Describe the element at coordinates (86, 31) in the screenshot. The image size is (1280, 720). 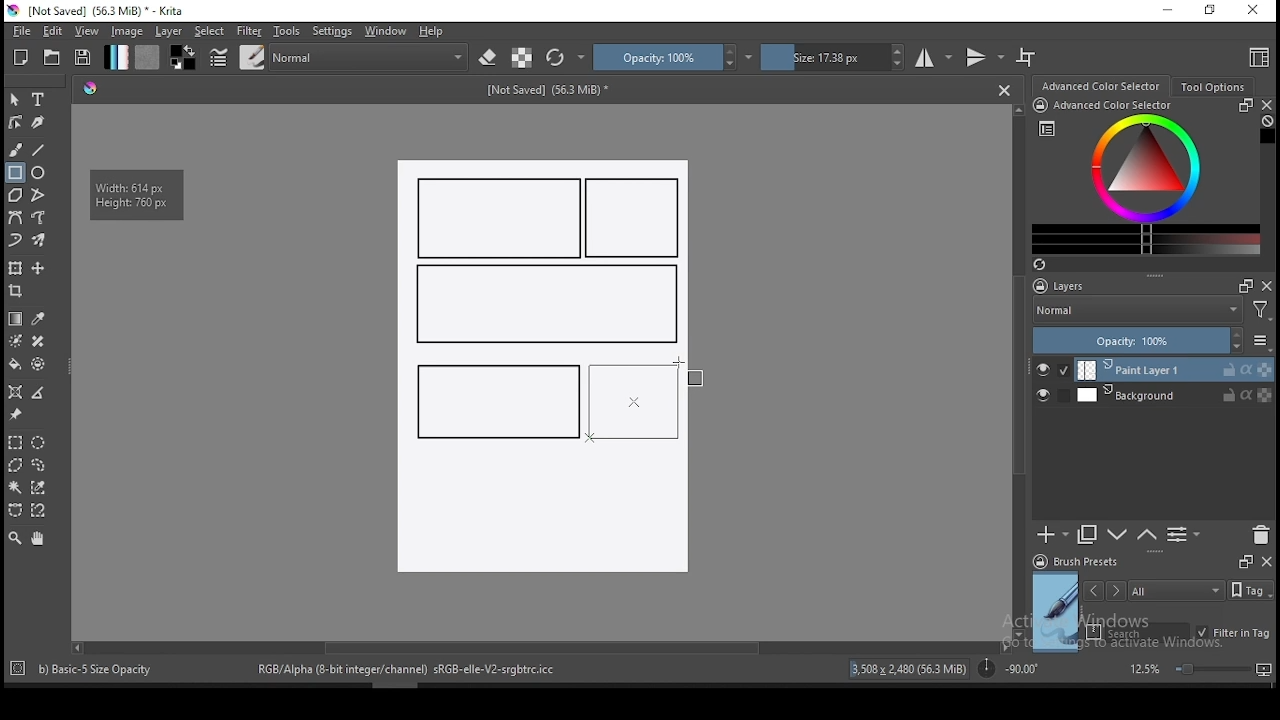
I see `view` at that location.